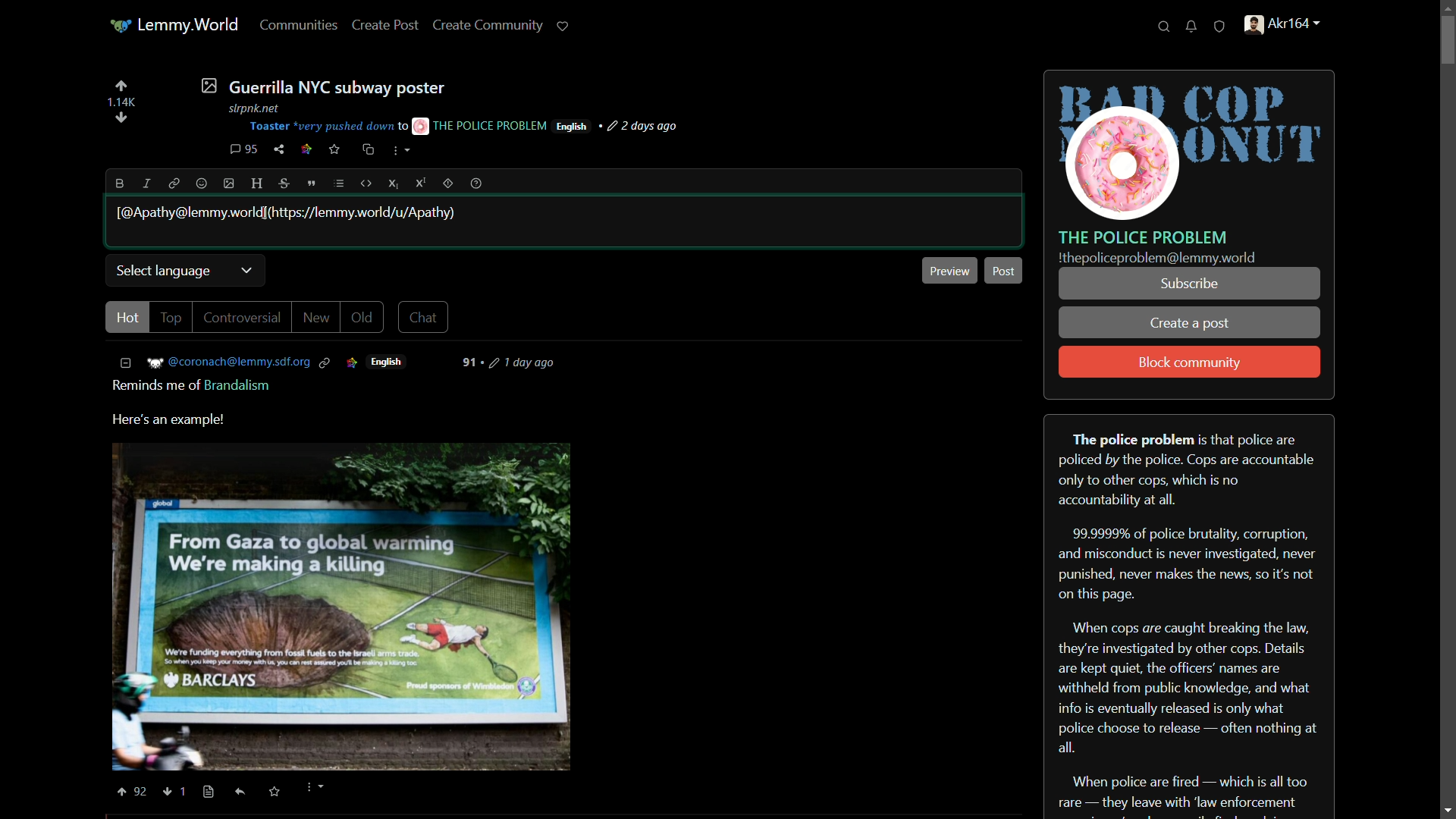  I want to click on Old, so click(362, 318).